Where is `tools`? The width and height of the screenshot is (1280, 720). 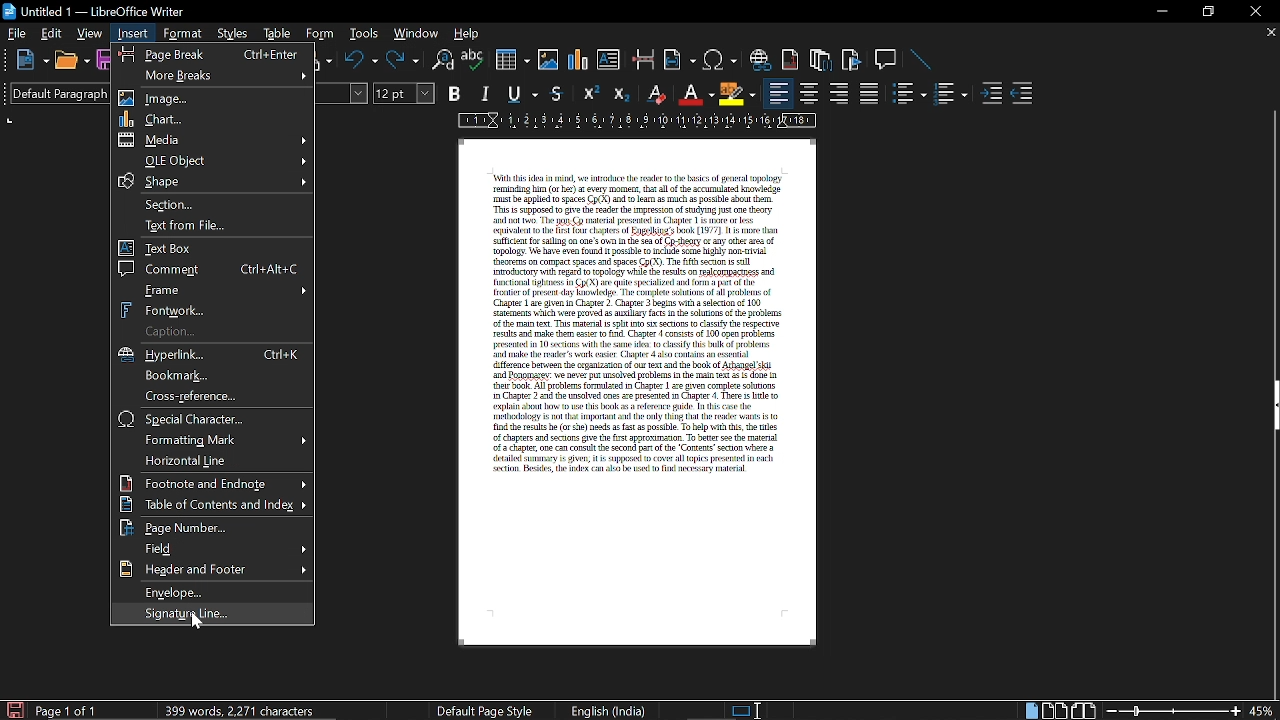
tools is located at coordinates (364, 35).